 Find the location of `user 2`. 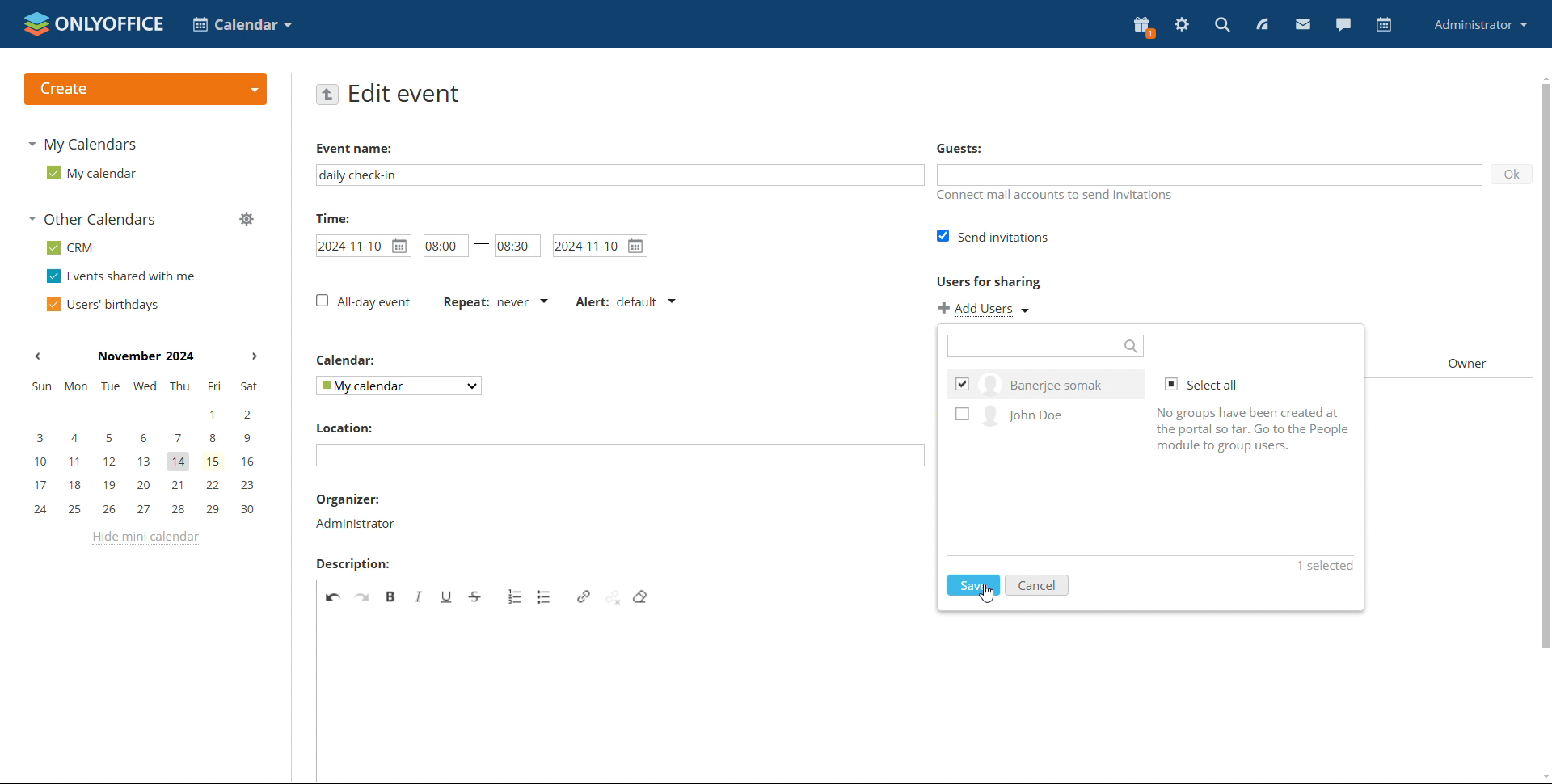

user 2 is located at coordinates (1043, 419).